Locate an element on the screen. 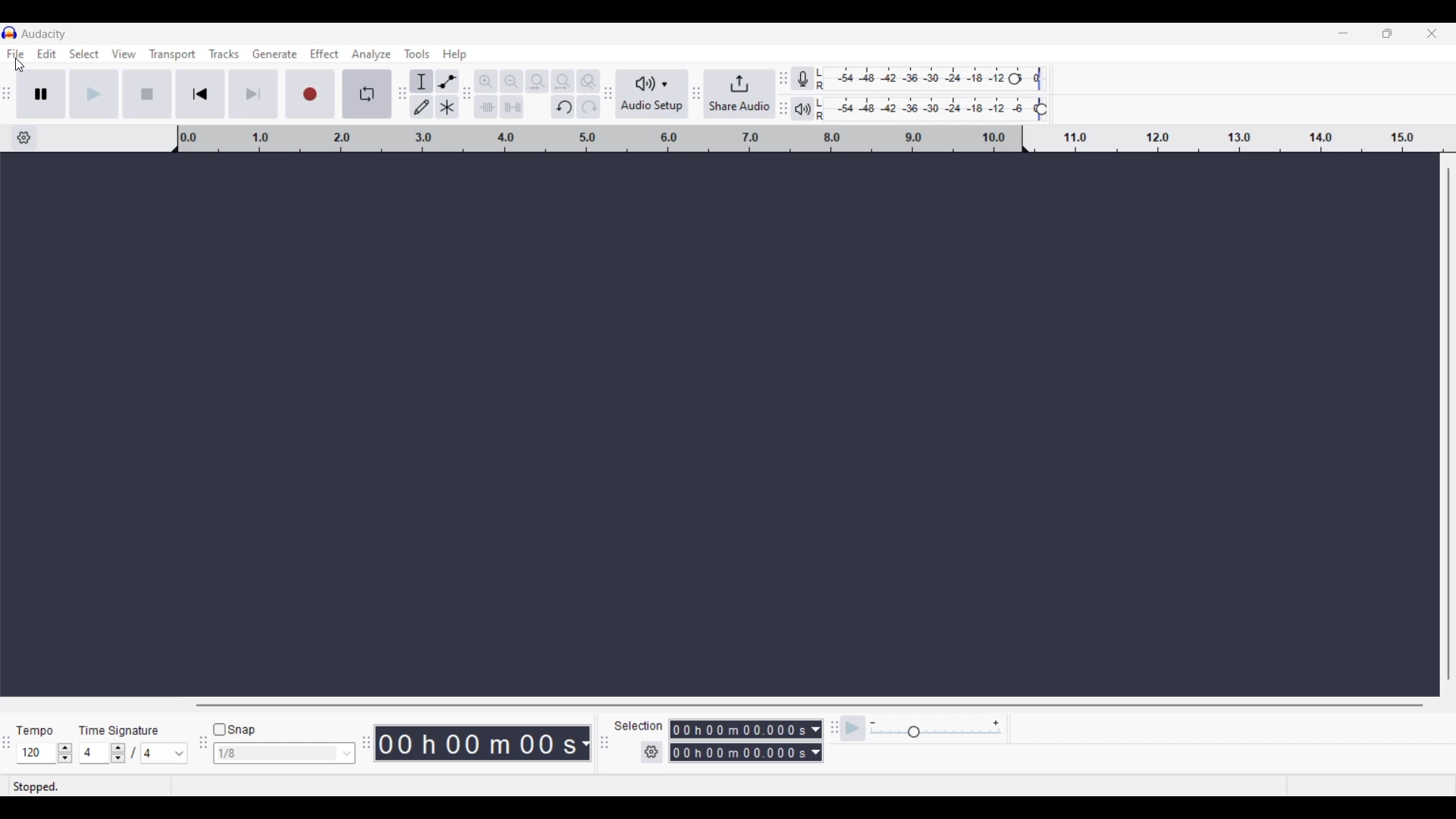 This screenshot has height=819, width=1456. Playback level is located at coordinates (942, 109).